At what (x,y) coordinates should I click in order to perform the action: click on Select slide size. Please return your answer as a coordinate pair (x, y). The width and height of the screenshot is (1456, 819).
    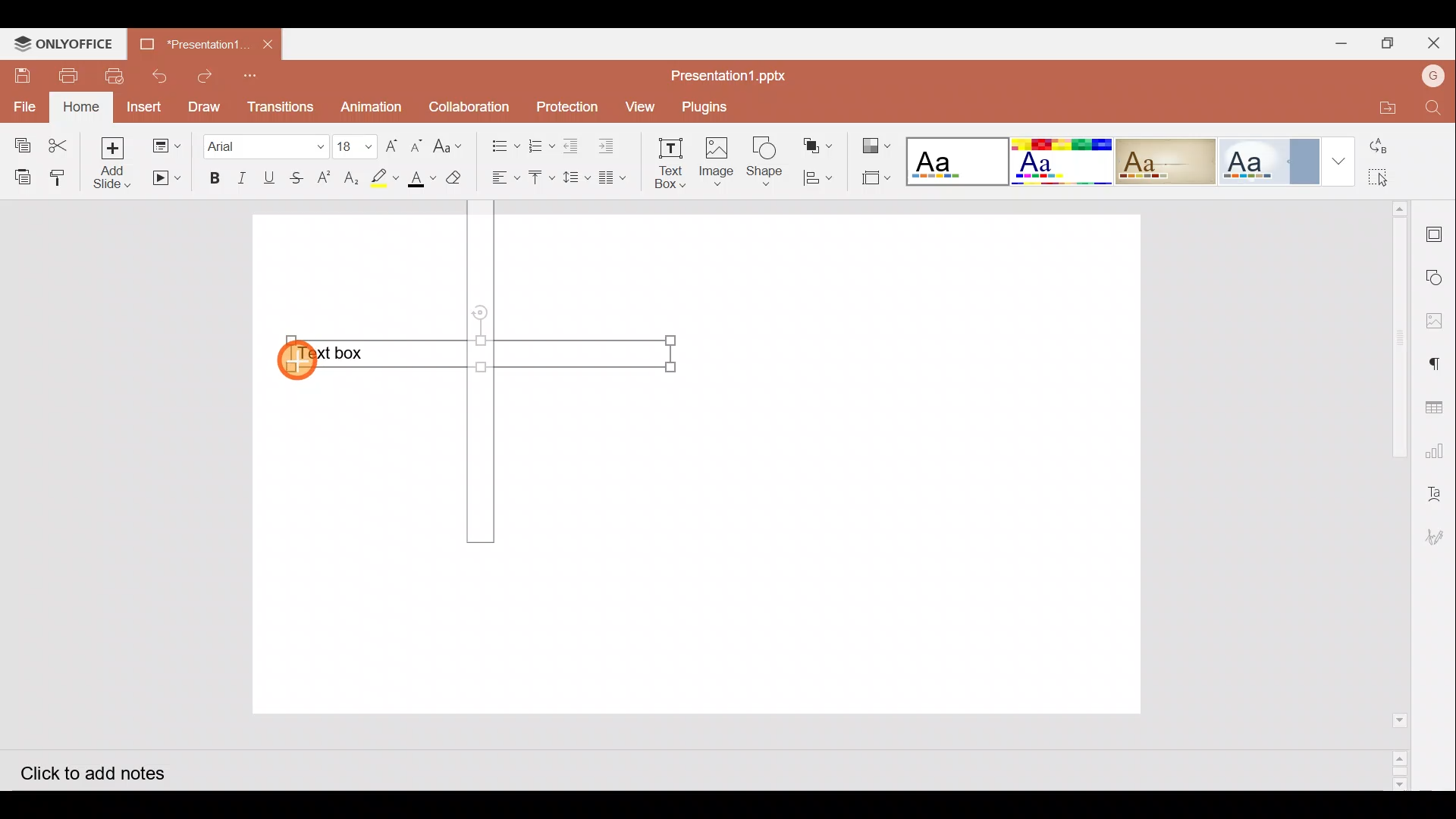
    Looking at the image, I should click on (870, 180).